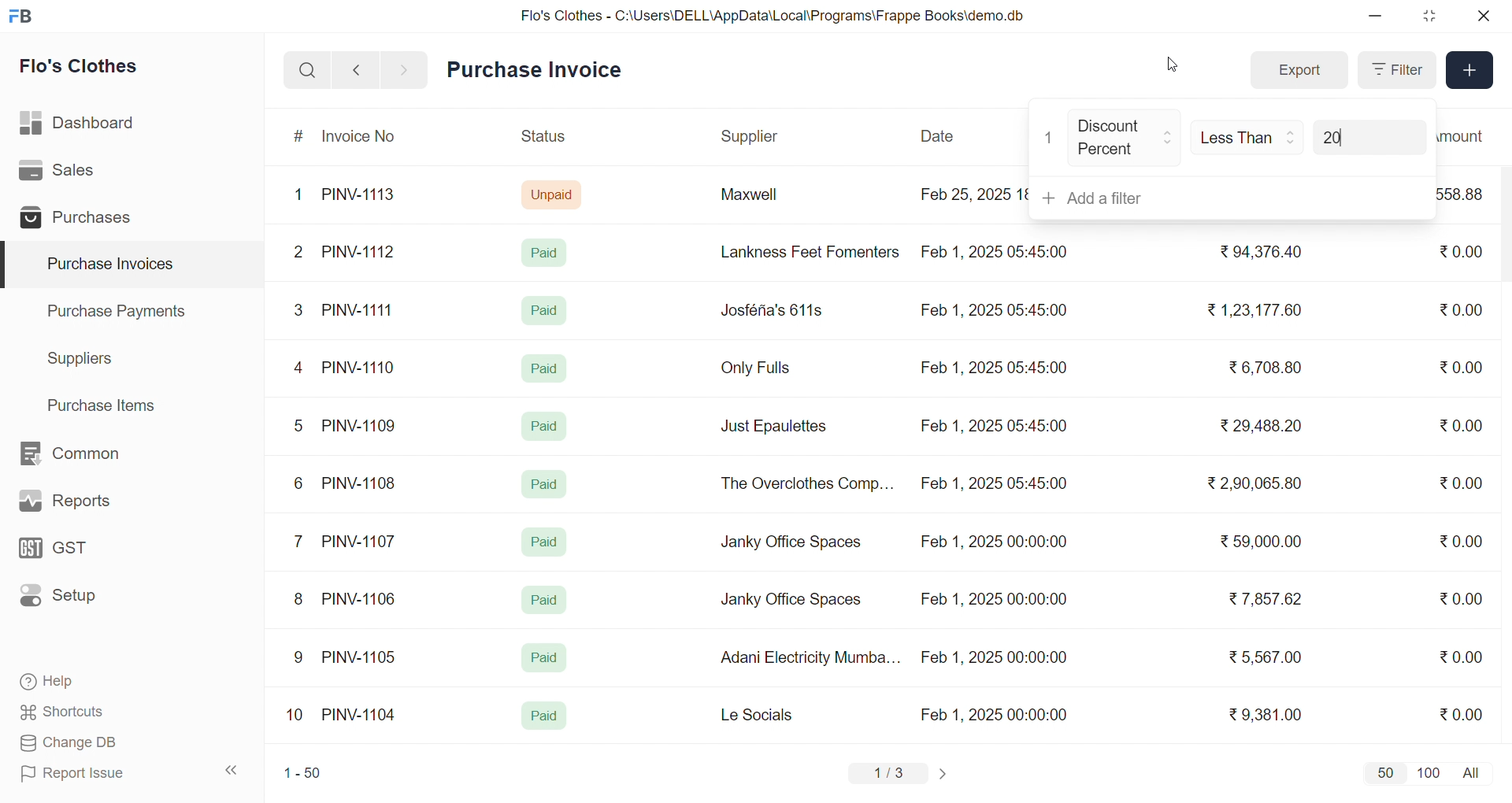 This screenshot has height=803, width=1512. Describe the element at coordinates (1482, 16) in the screenshot. I see `close` at that location.